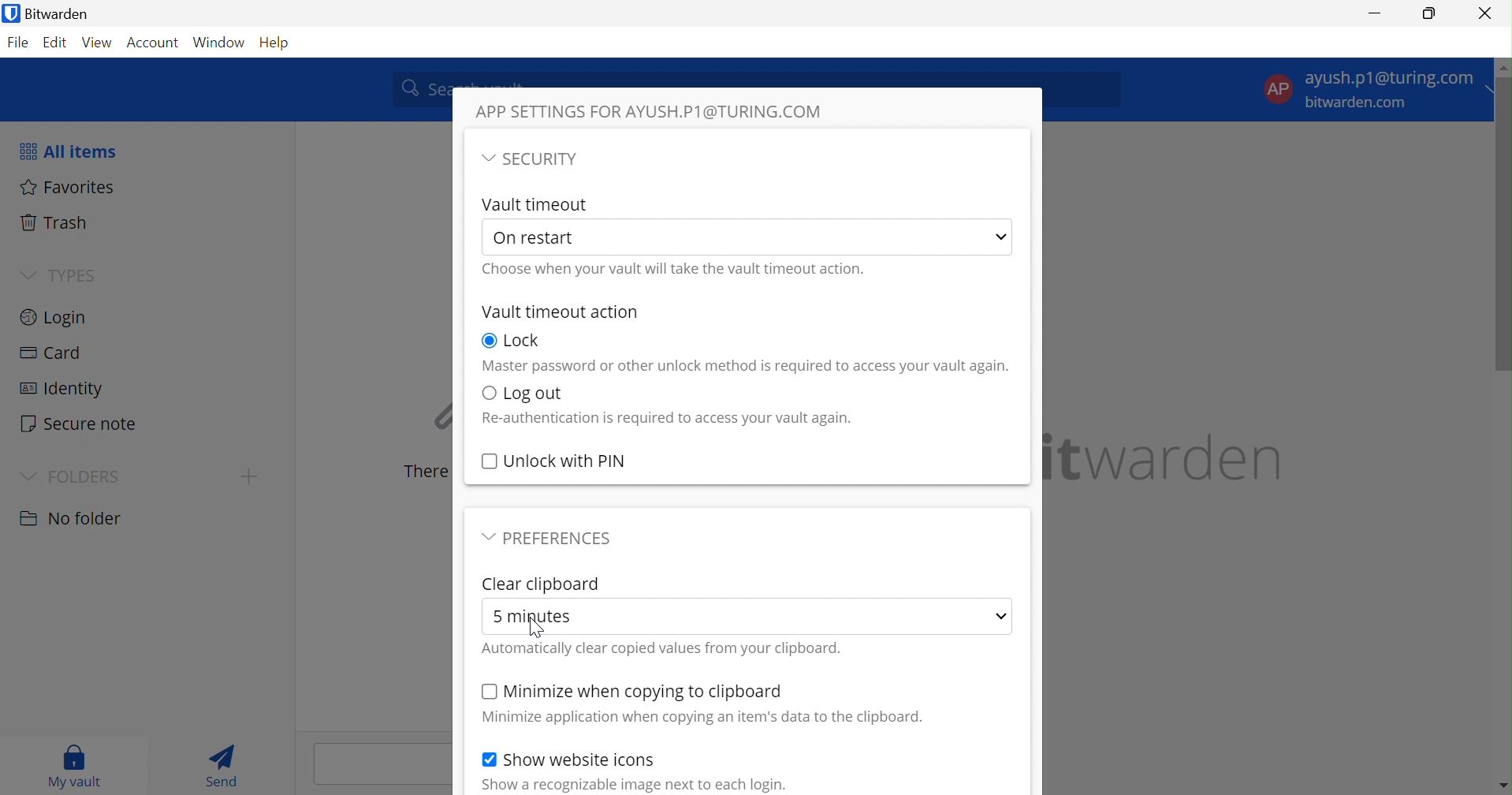  What do you see at coordinates (670, 418) in the screenshot?
I see `Re-authentication is required to access your vault again.` at bounding box center [670, 418].